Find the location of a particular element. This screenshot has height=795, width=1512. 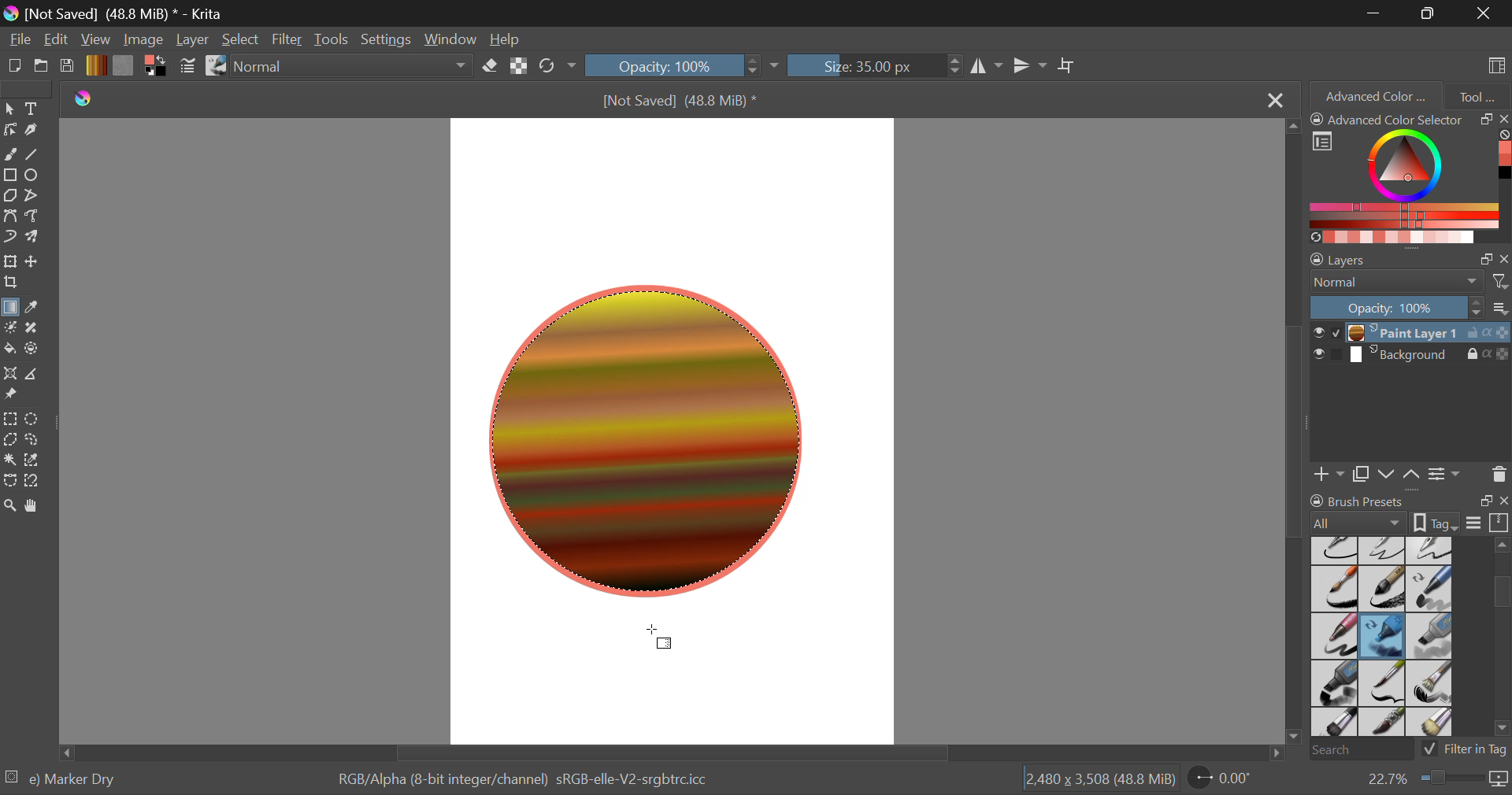

Crop a layer is located at coordinates (11, 284).